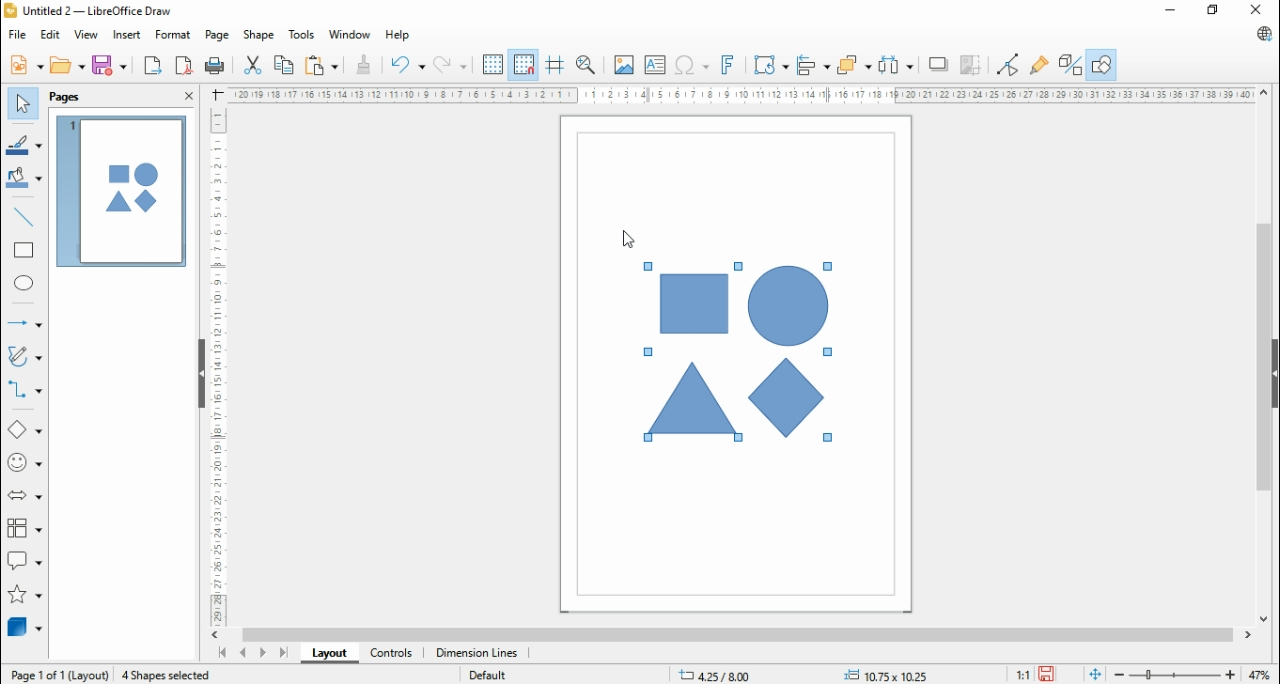 The height and width of the screenshot is (684, 1280). What do you see at coordinates (187, 94) in the screenshot?
I see `close pane` at bounding box center [187, 94].